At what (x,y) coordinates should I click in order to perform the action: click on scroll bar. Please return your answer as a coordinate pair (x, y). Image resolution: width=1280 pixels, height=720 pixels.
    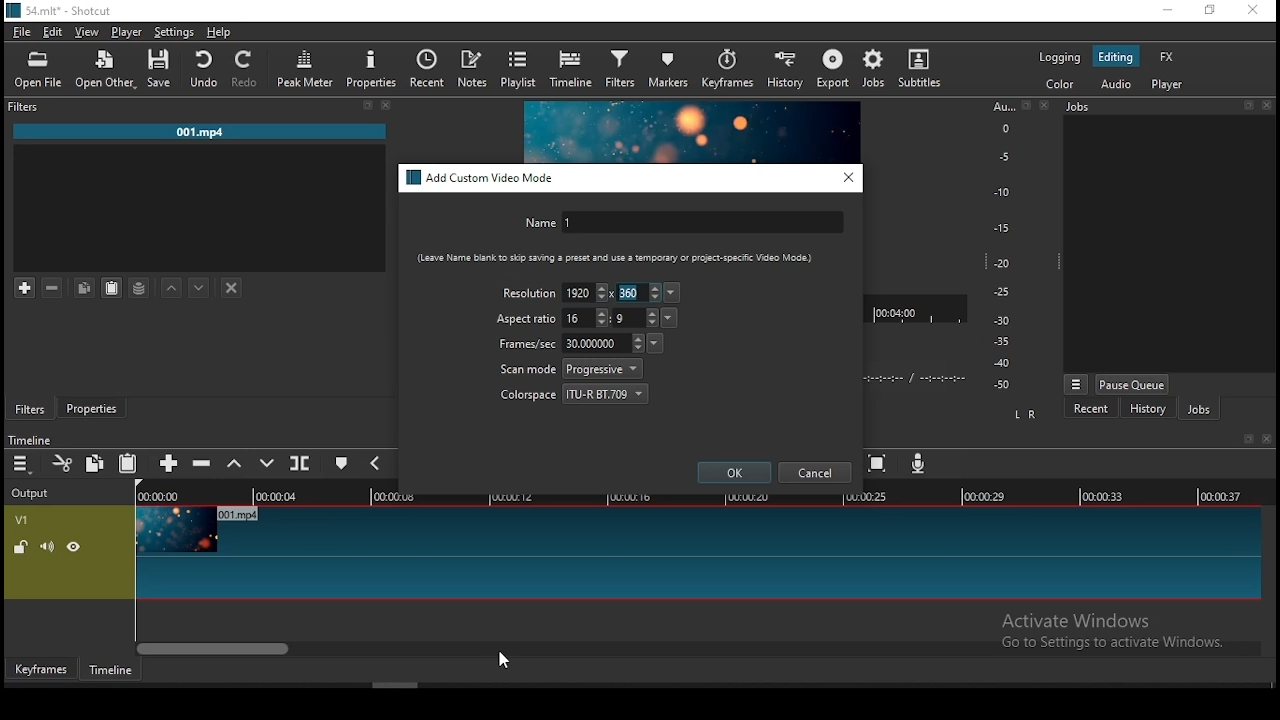
    Looking at the image, I should click on (699, 647).